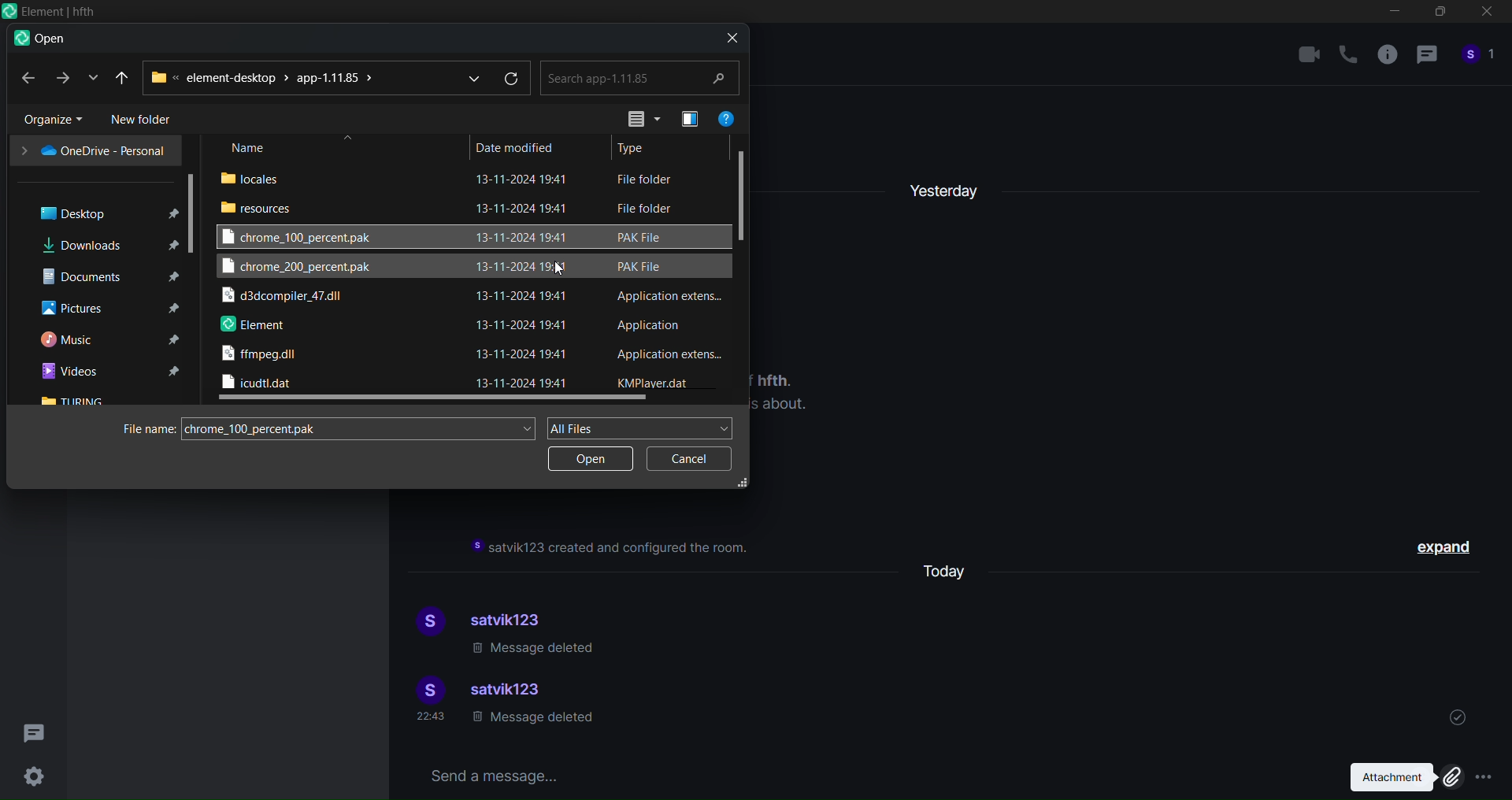 Image resolution: width=1512 pixels, height=800 pixels. Describe the element at coordinates (90, 78) in the screenshot. I see `recent location` at that location.